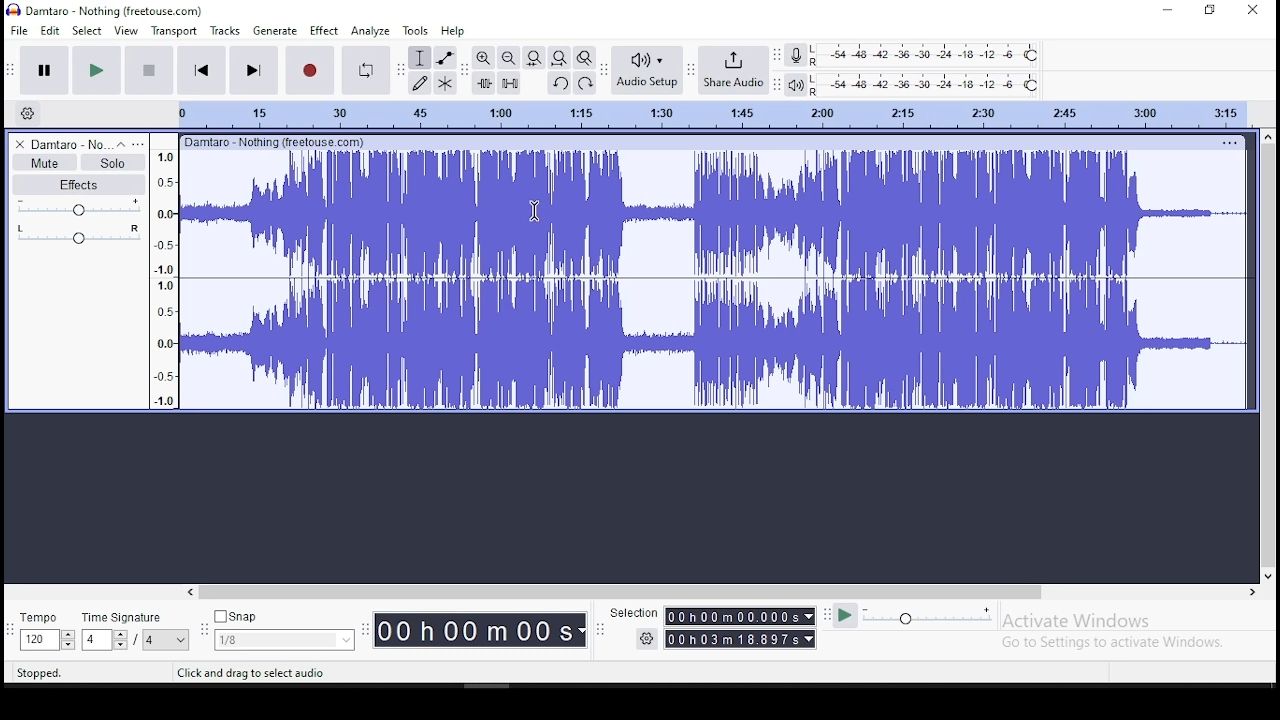 The height and width of the screenshot is (720, 1280). I want to click on timeline settings, so click(28, 113).